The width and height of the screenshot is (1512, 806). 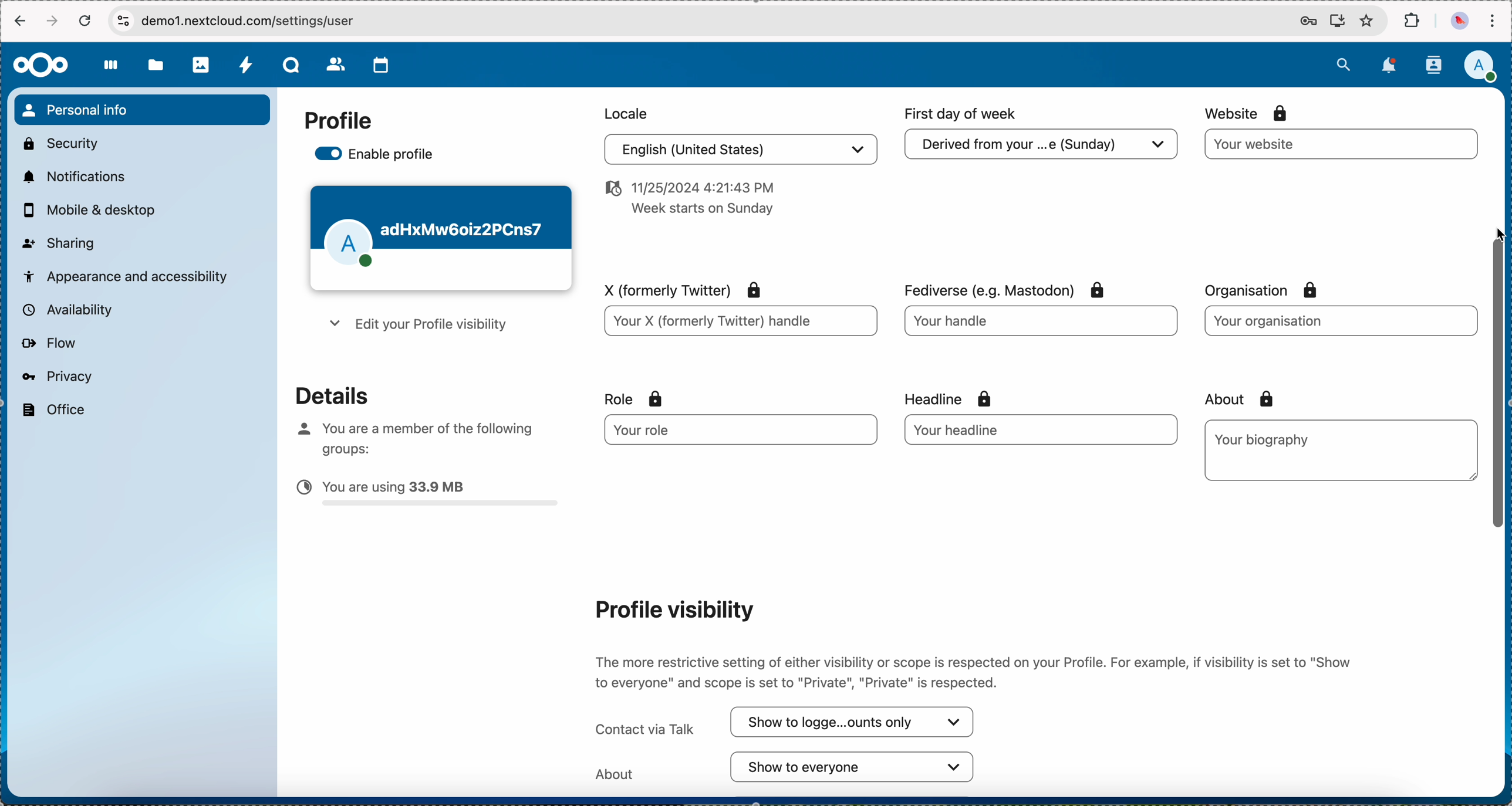 I want to click on dashboard, so click(x=112, y=72).